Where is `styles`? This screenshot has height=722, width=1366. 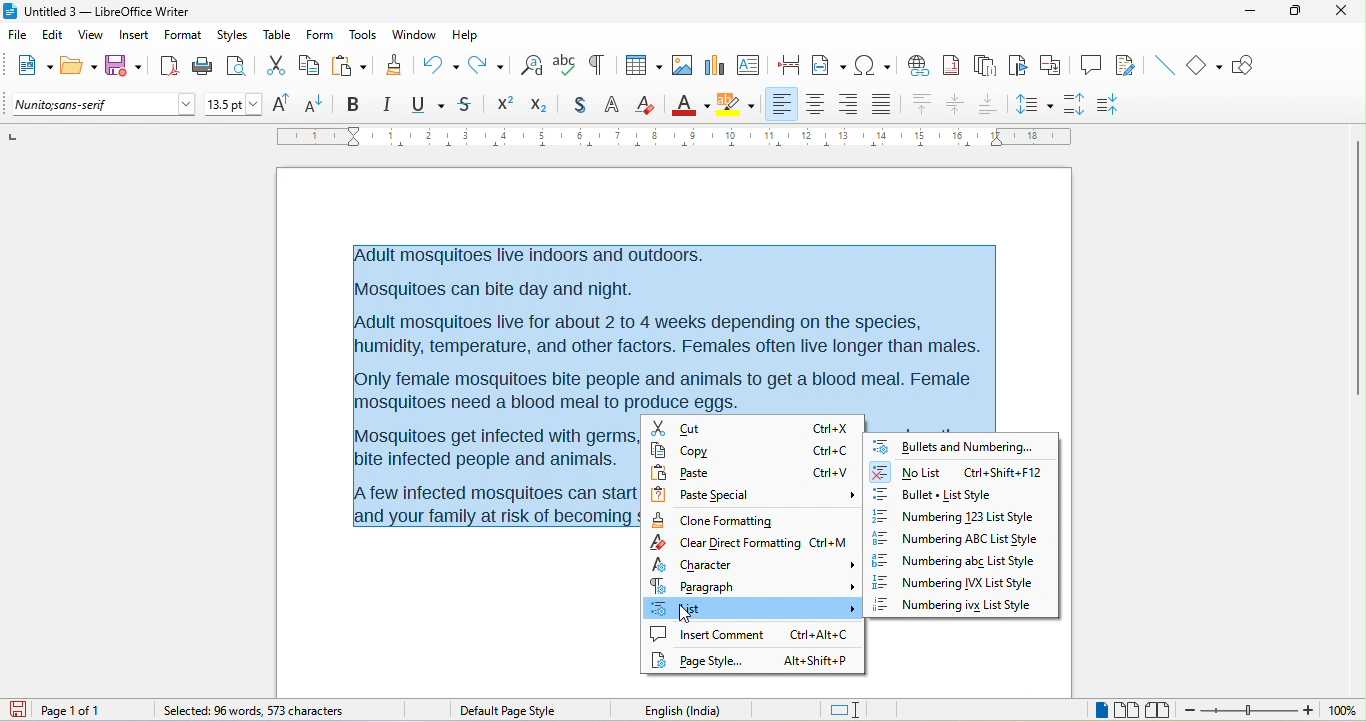
styles is located at coordinates (232, 35).